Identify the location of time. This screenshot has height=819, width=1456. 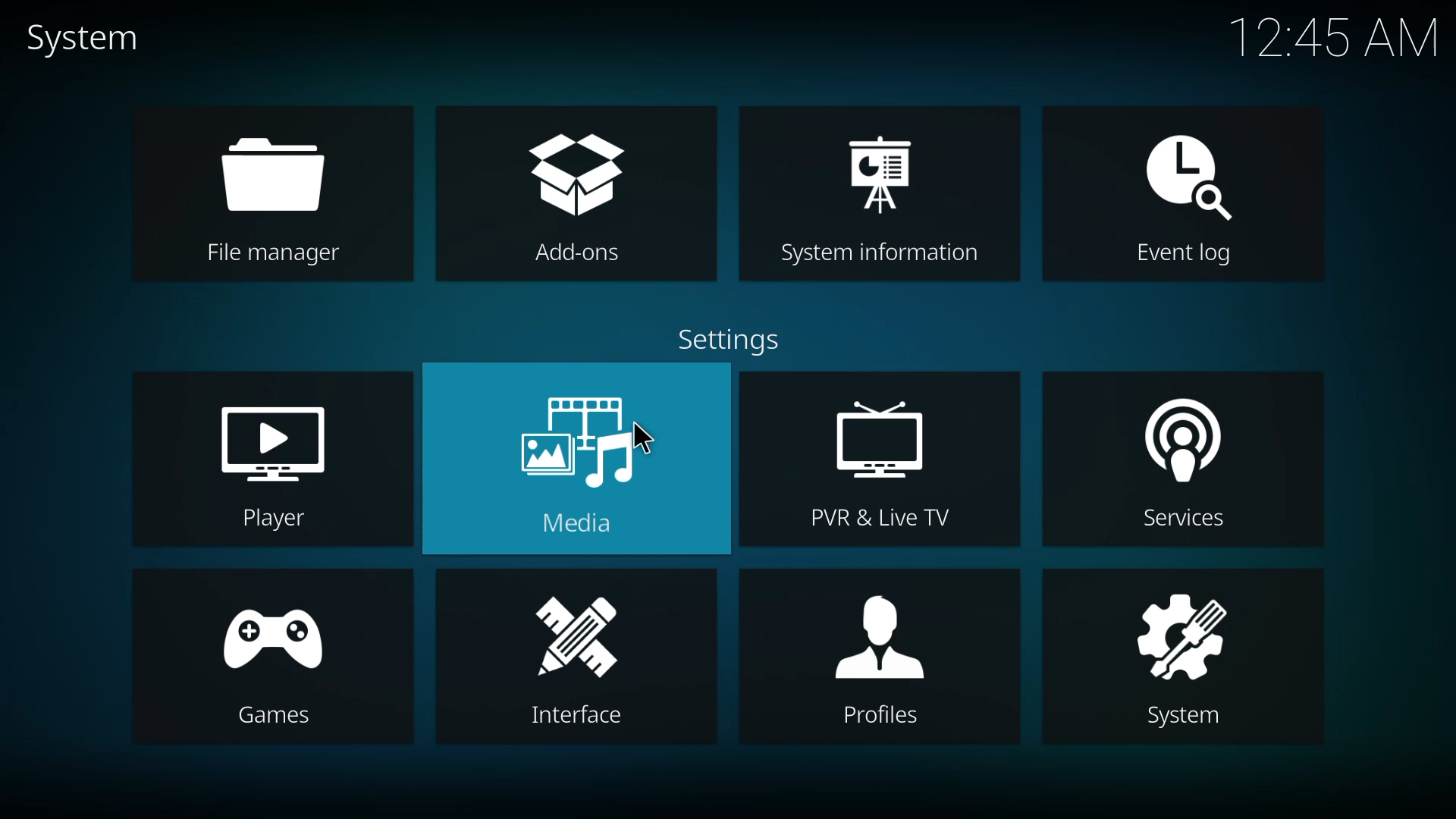
(1338, 35).